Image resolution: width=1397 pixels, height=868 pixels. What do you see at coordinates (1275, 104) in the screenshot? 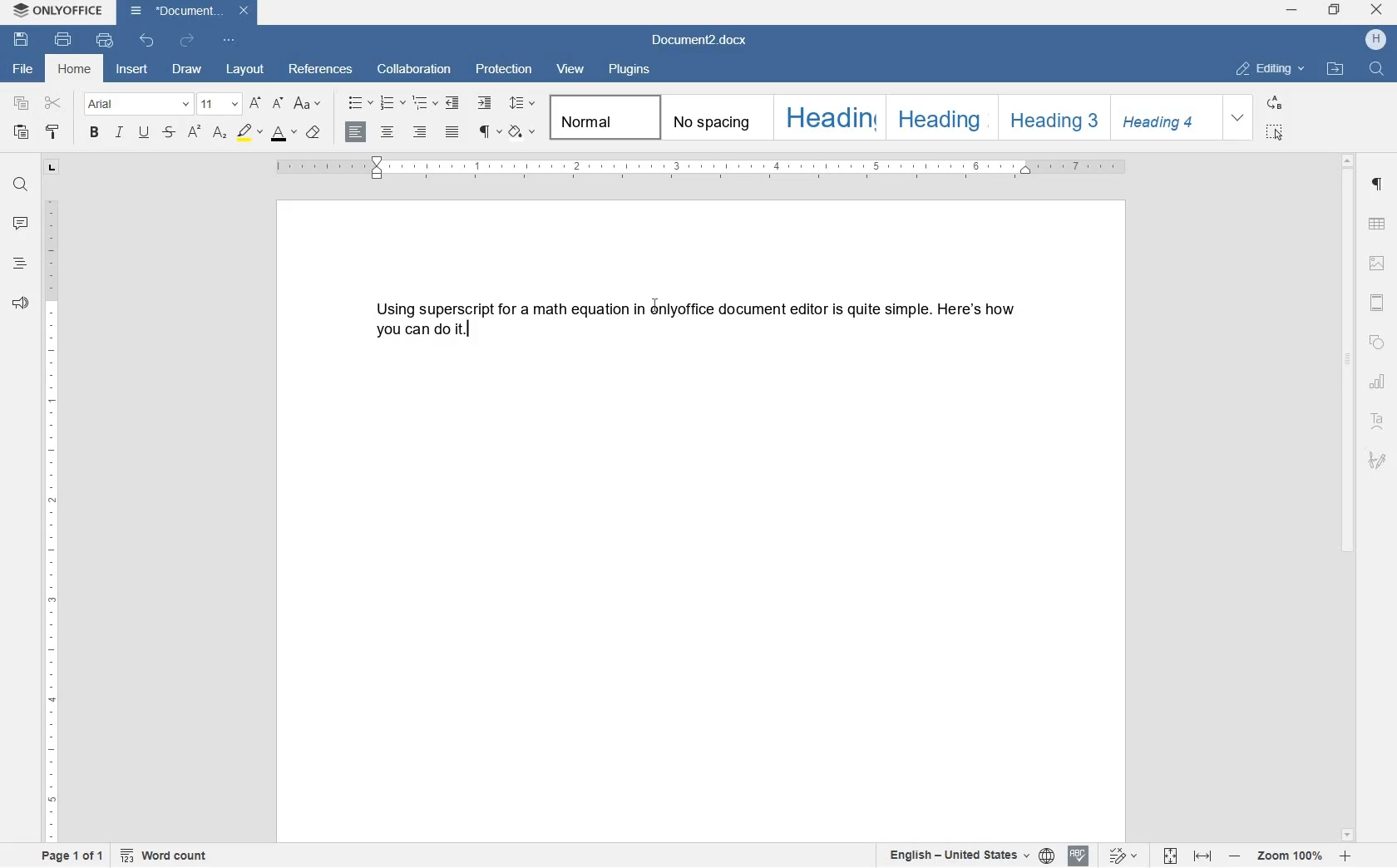
I see `REPLACE` at bounding box center [1275, 104].